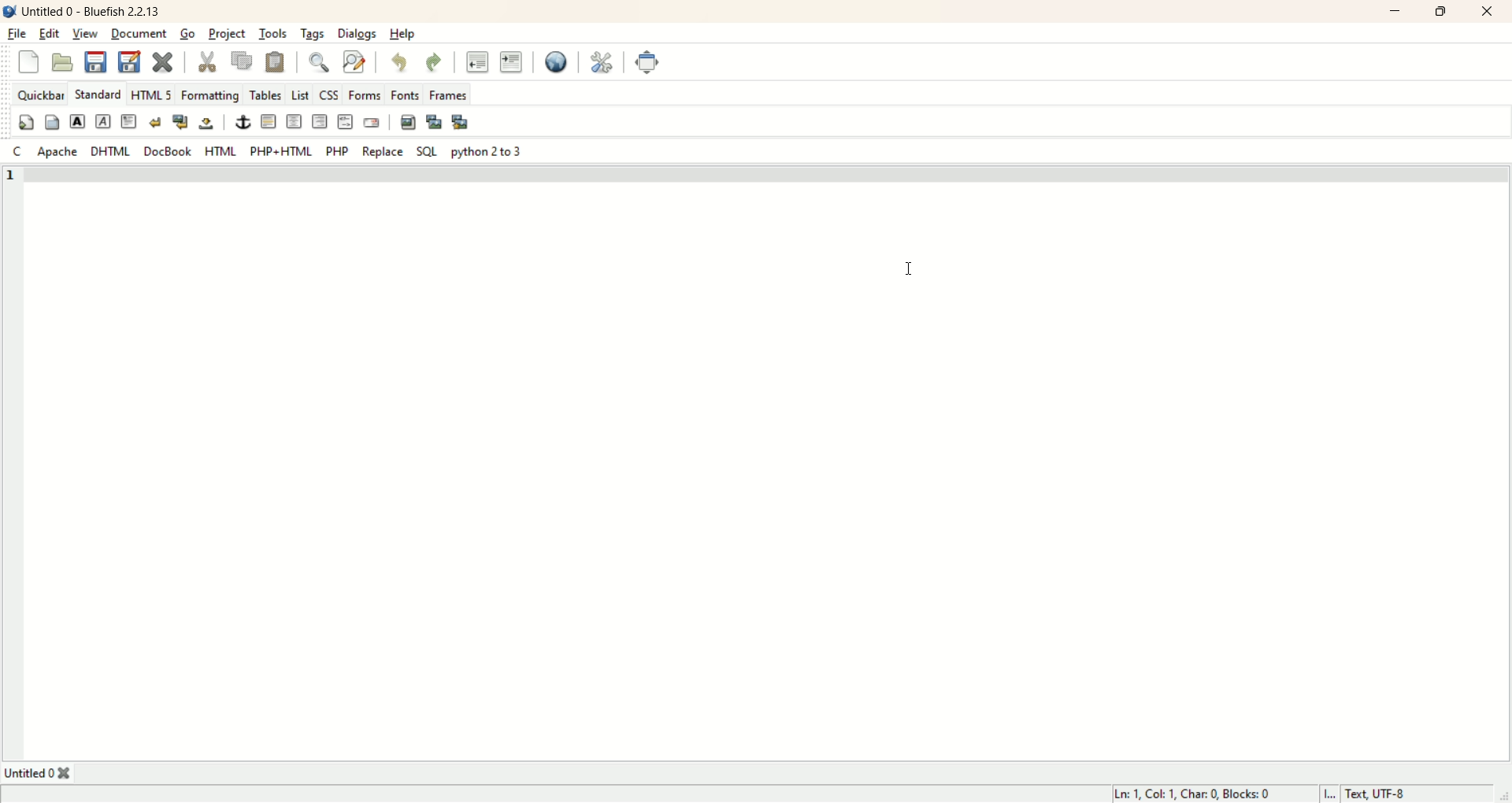 This screenshot has width=1512, height=803. I want to click on PHP, so click(337, 150).